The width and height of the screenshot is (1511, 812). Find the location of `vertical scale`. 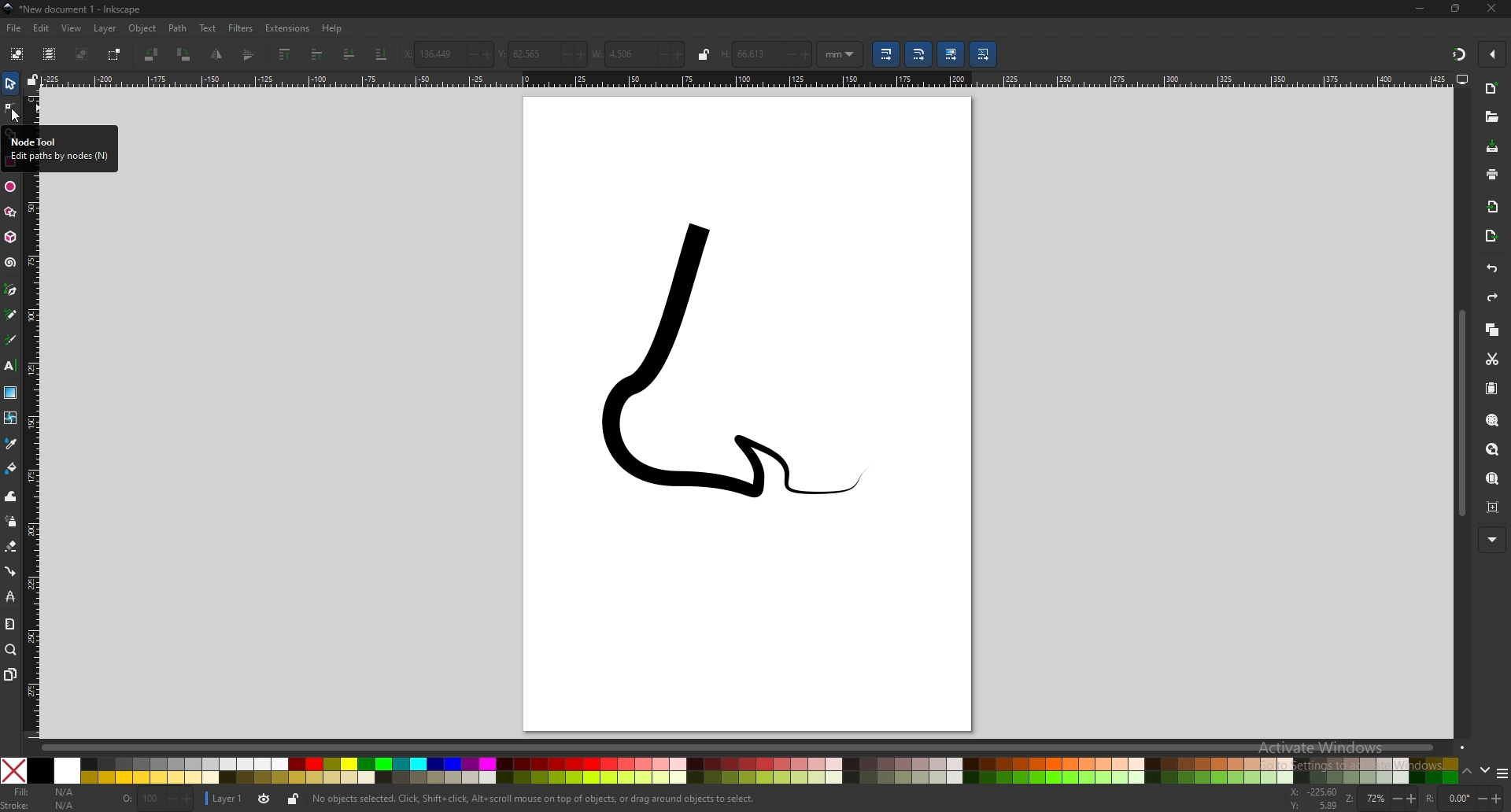

vertical scale is located at coordinates (31, 454).